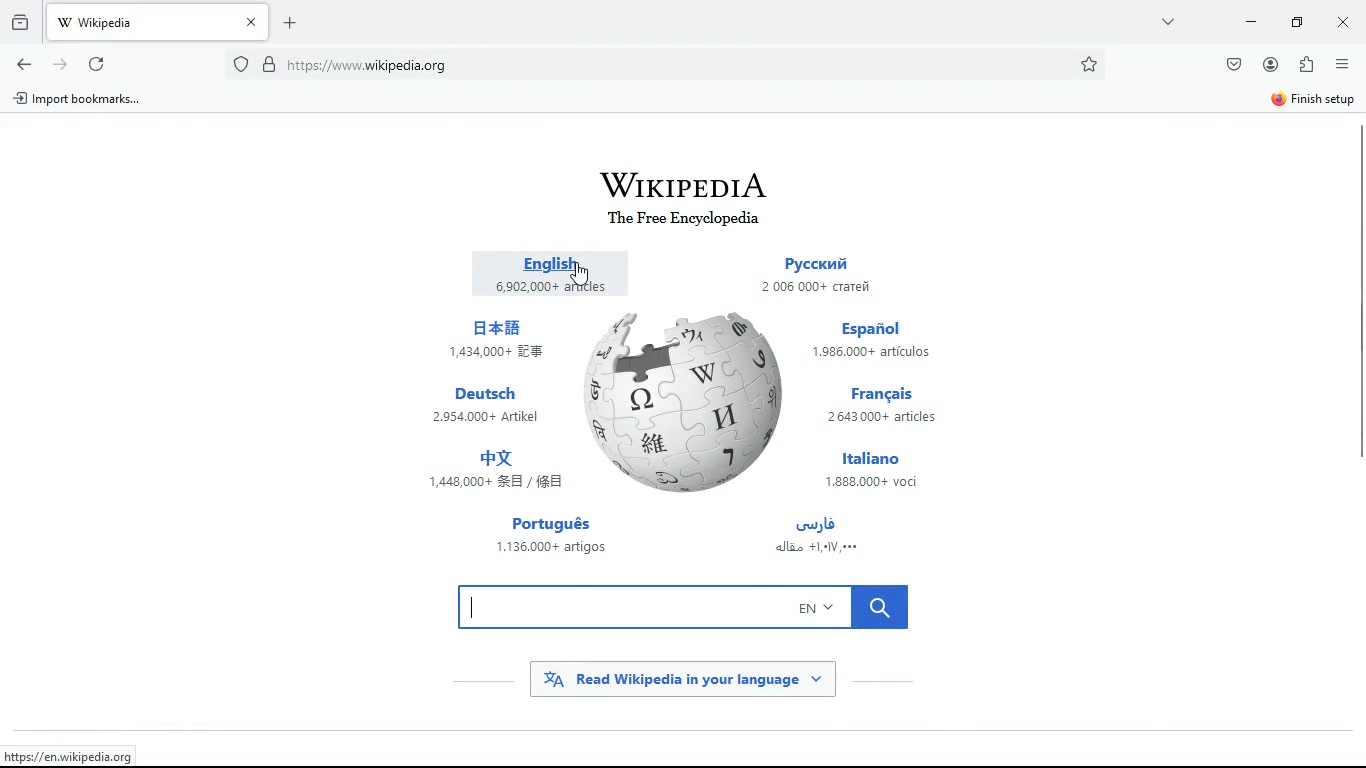  Describe the element at coordinates (841, 538) in the screenshot. I see `arabic` at that location.